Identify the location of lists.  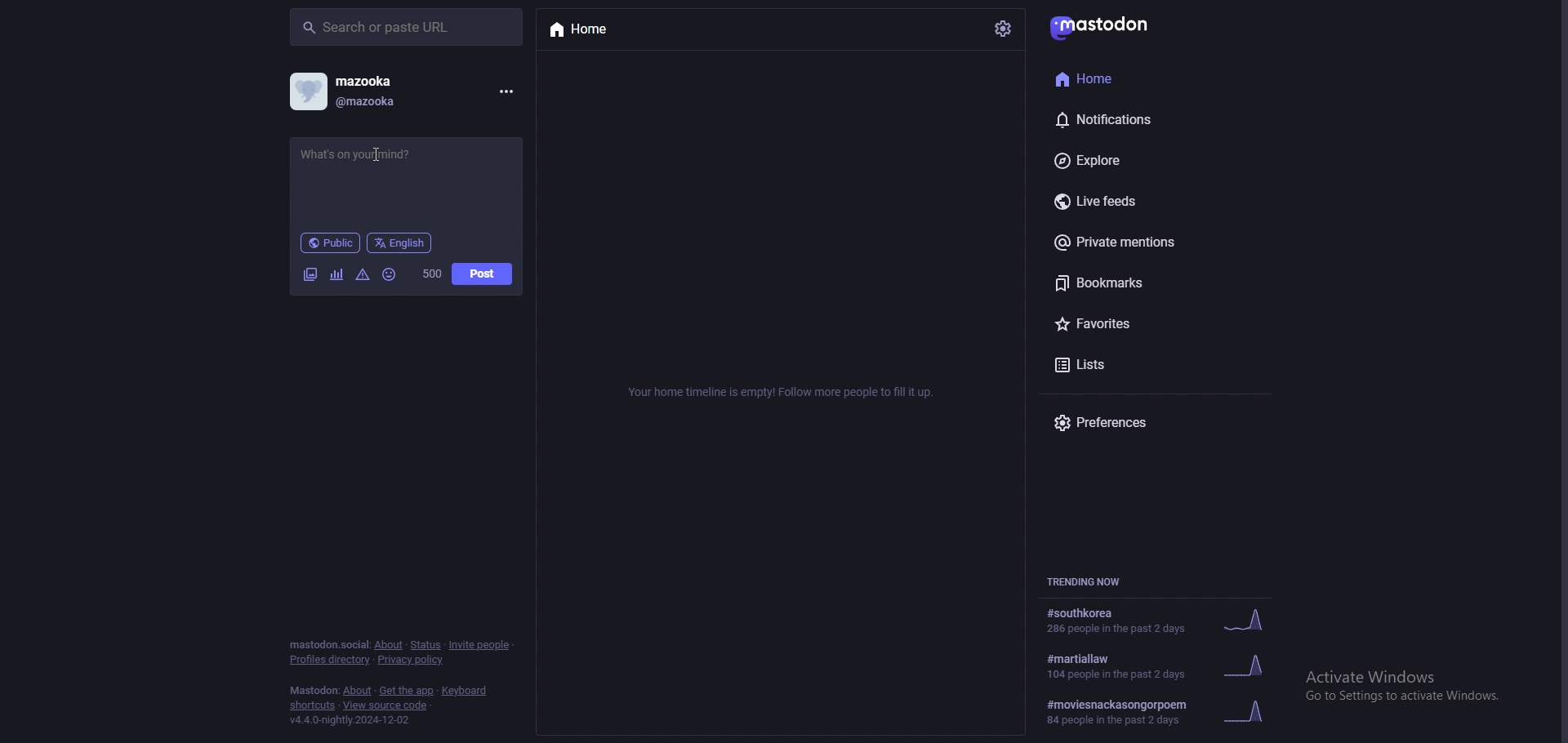
(1146, 365).